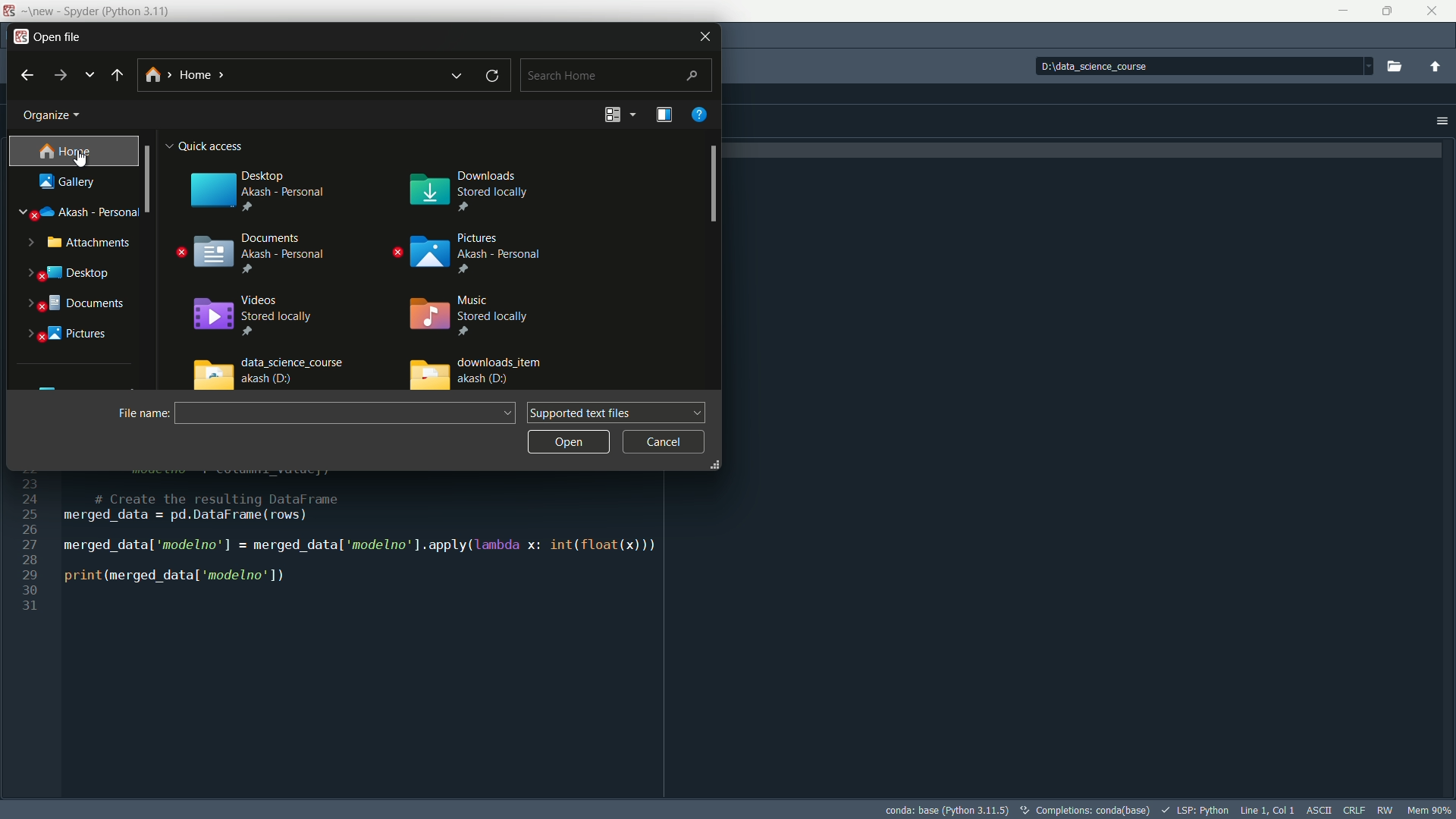  I want to click on cancel, so click(664, 443).